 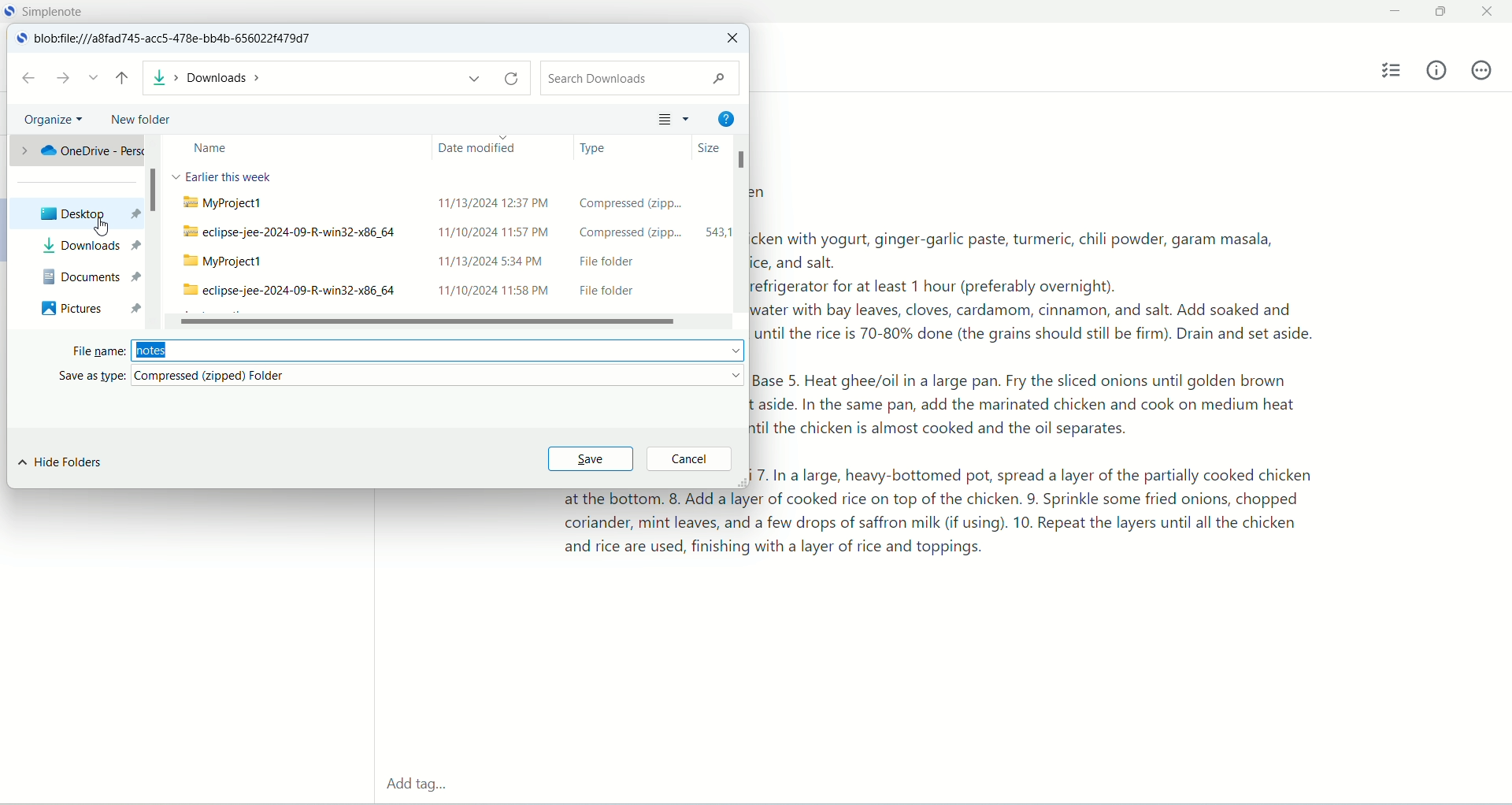 I want to click on vertical scroll bar, so click(x=152, y=231).